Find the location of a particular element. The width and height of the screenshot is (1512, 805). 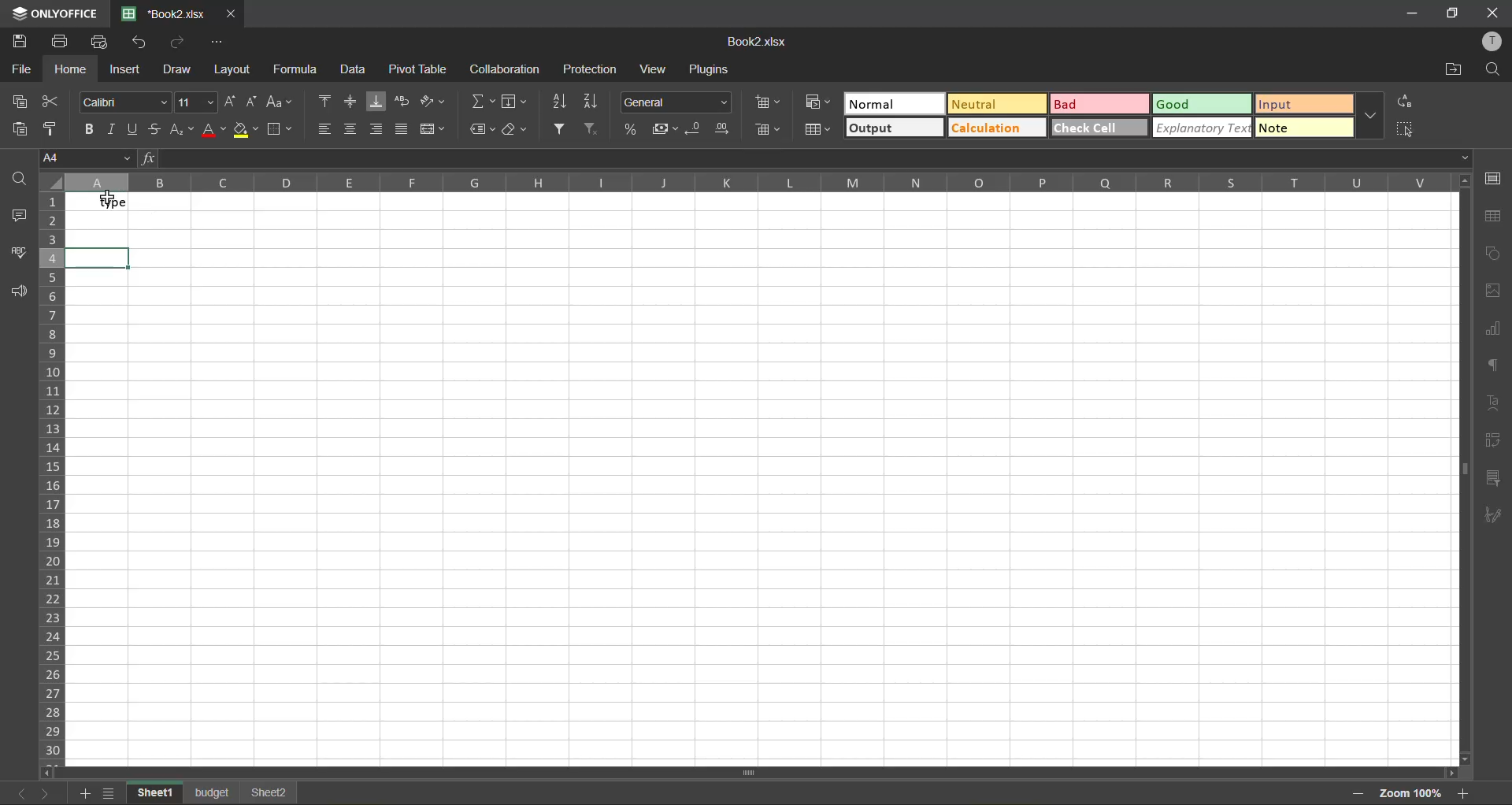

normal is located at coordinates (895, 104).